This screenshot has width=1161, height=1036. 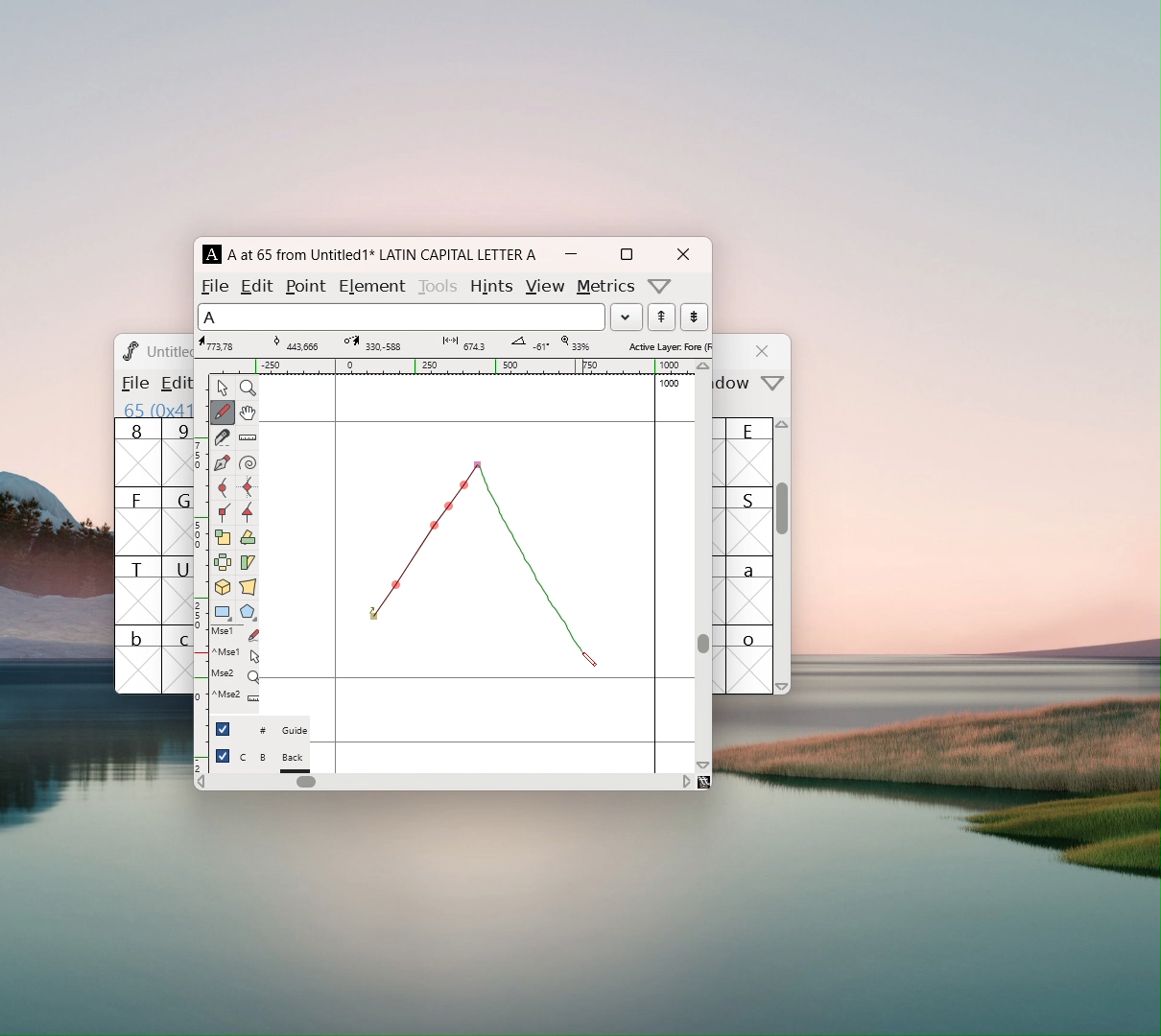 What do you see at coordinates (178, 660) in the screenshot?
I see `c` at bounding box center [178, 660].